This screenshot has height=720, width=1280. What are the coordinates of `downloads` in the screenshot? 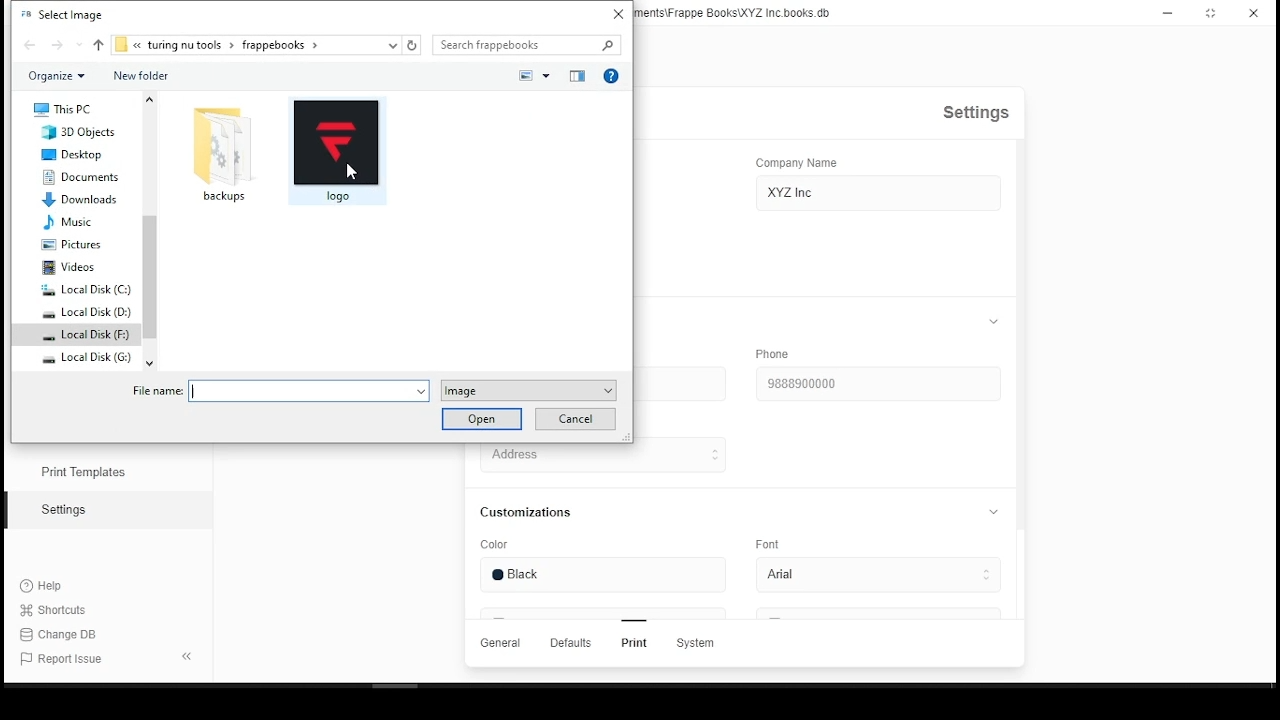 It's located at (83, 200).